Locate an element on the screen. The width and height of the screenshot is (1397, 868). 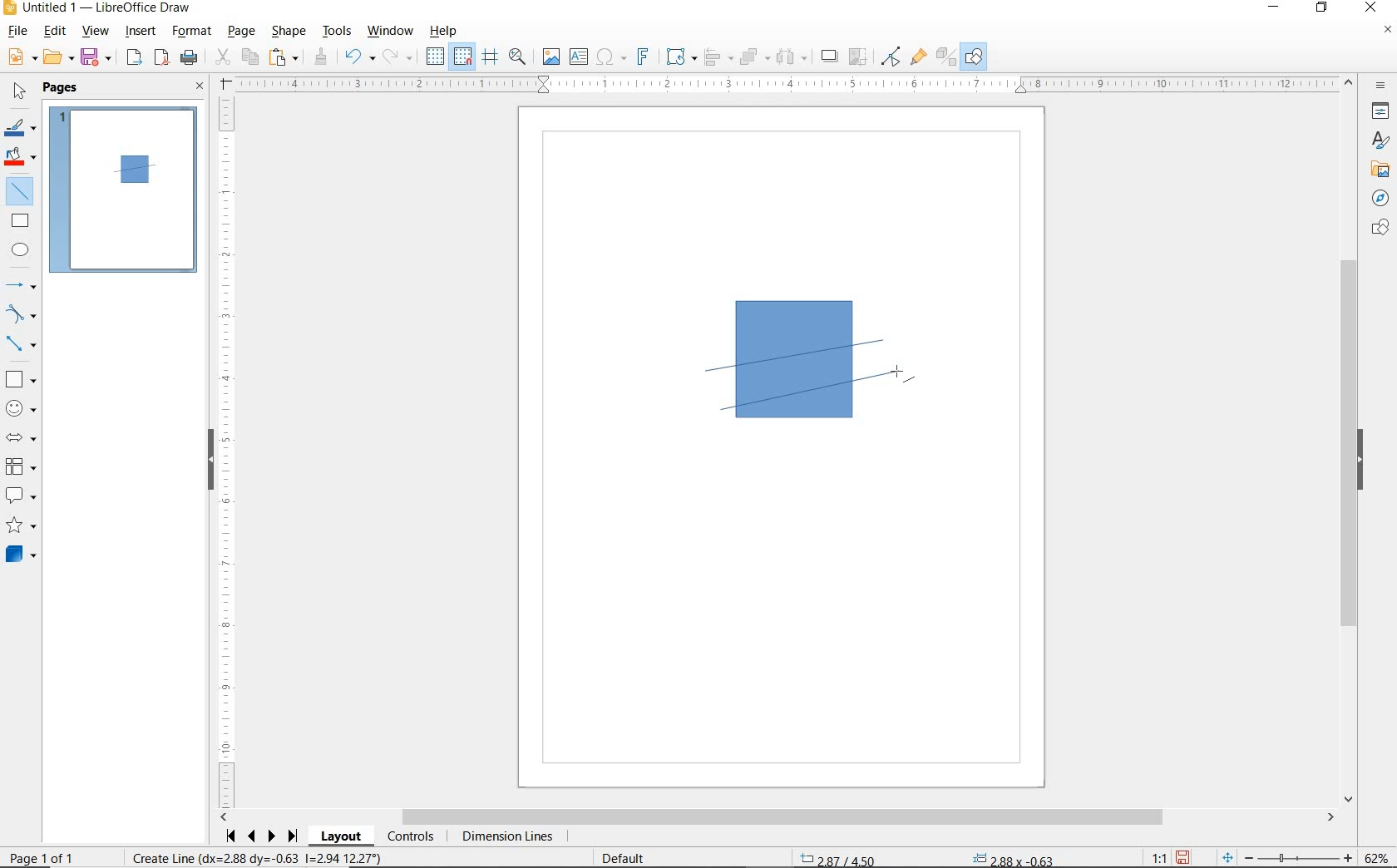
PAGE is located at coordinates (243, 32).